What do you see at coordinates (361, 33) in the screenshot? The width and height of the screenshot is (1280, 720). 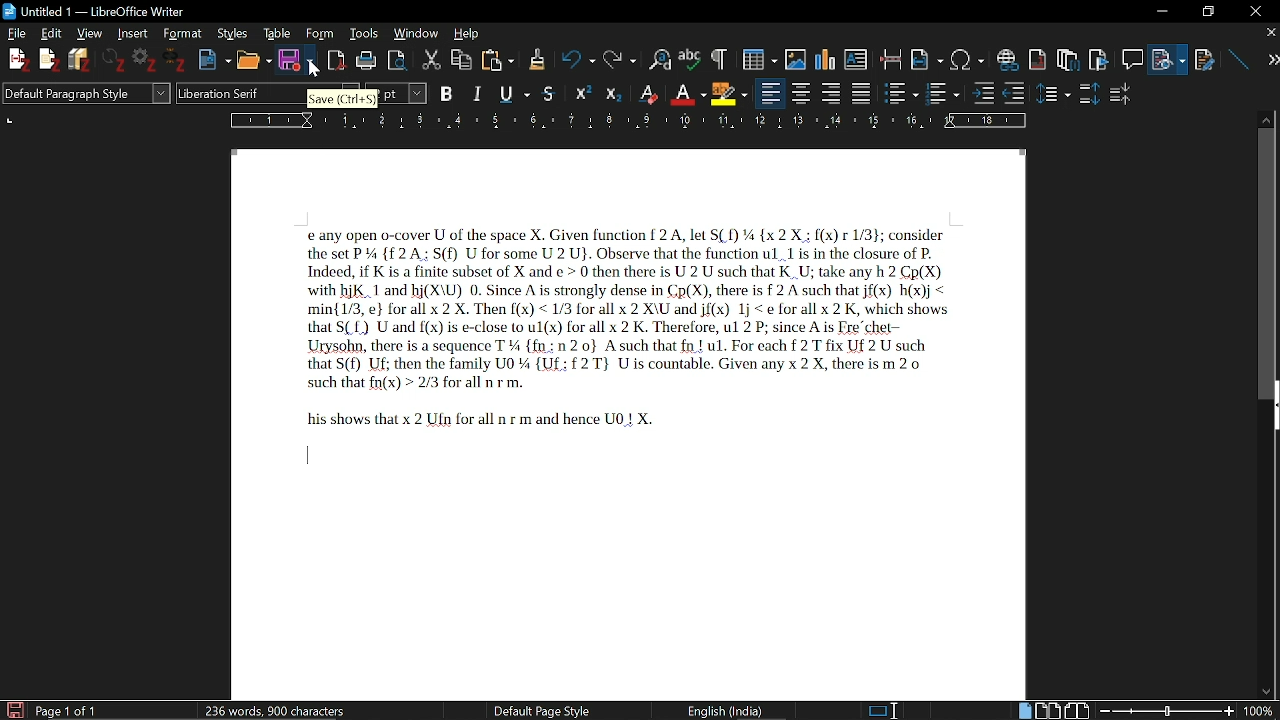 I see `Tools` at bounding box center [361, 33].